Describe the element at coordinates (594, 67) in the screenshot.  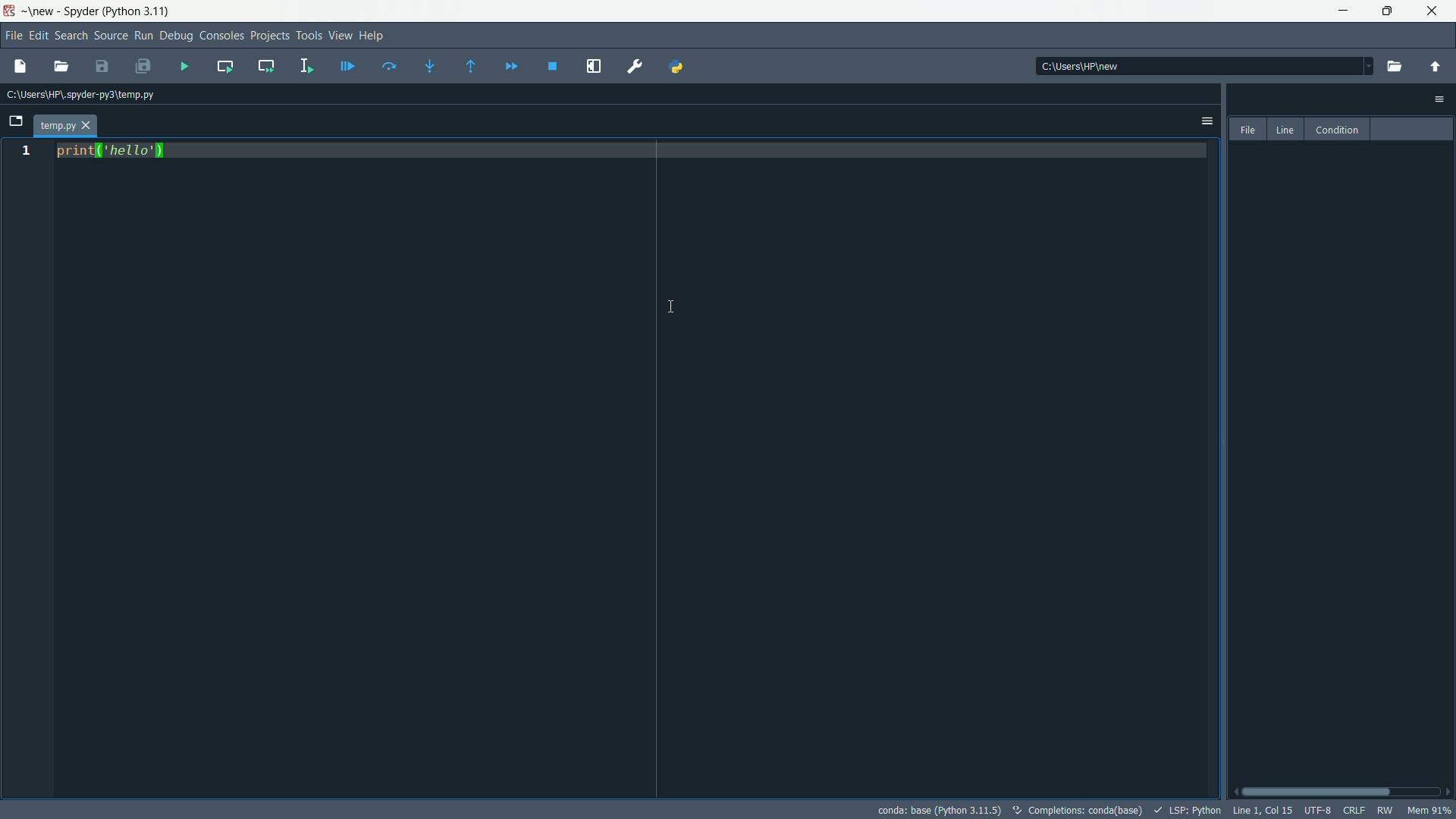
I see `maximize current pane` at that location.